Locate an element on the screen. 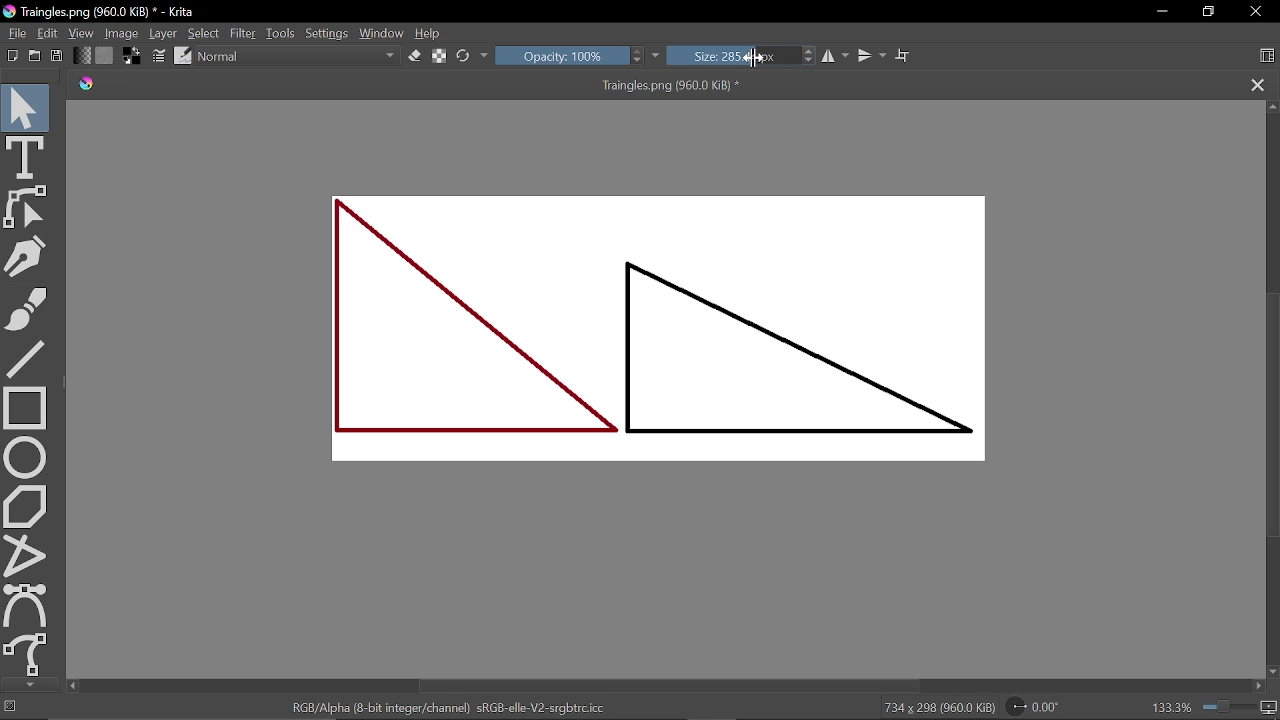 The image size is (1280, 720). Rectangle tool is located at coordinates (29, 408).